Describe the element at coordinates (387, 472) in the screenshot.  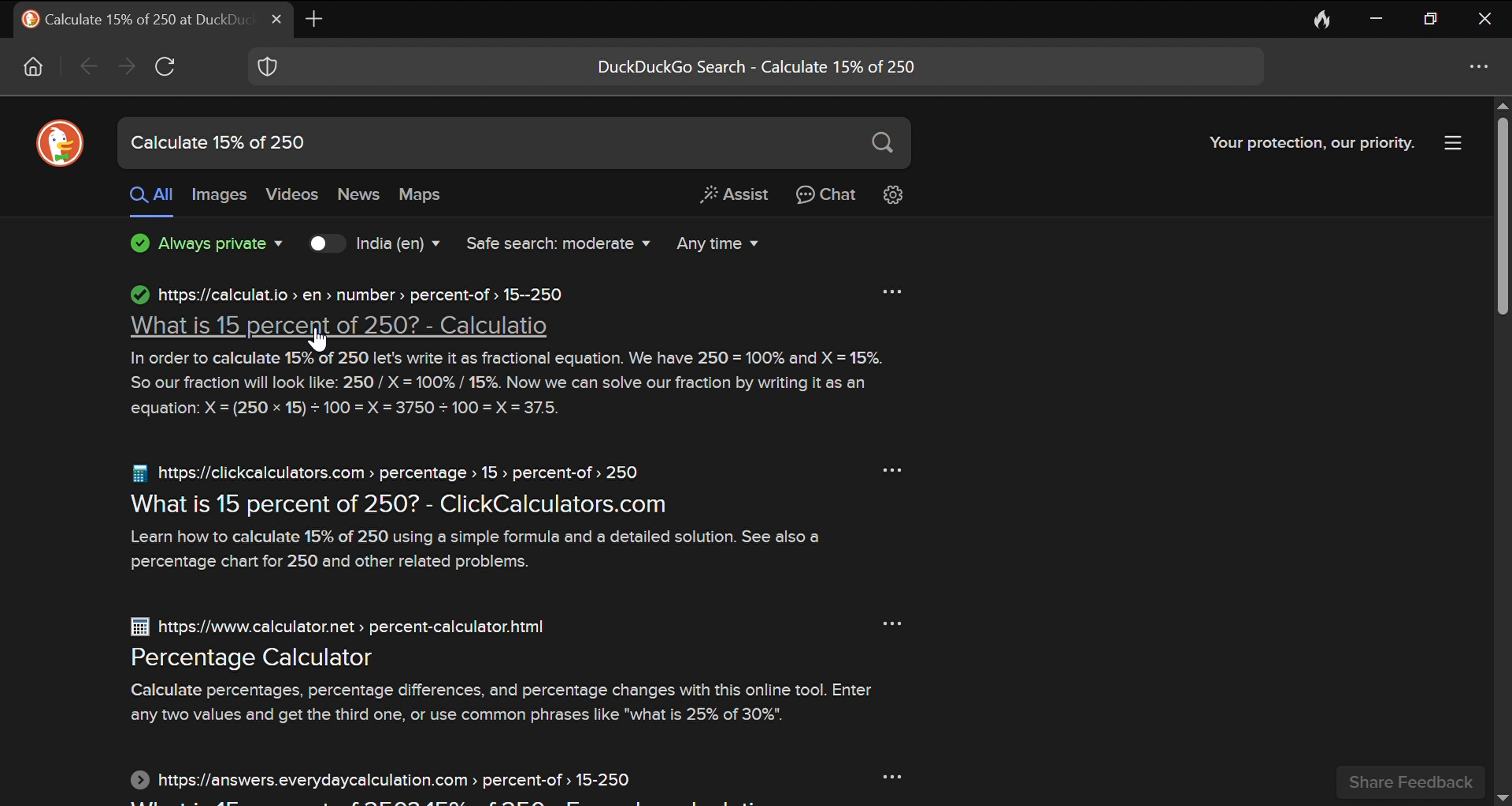
I see `web address of result 2 :https://clickcalculators.com > percentage > 15 > percent-of > 250` at that location.